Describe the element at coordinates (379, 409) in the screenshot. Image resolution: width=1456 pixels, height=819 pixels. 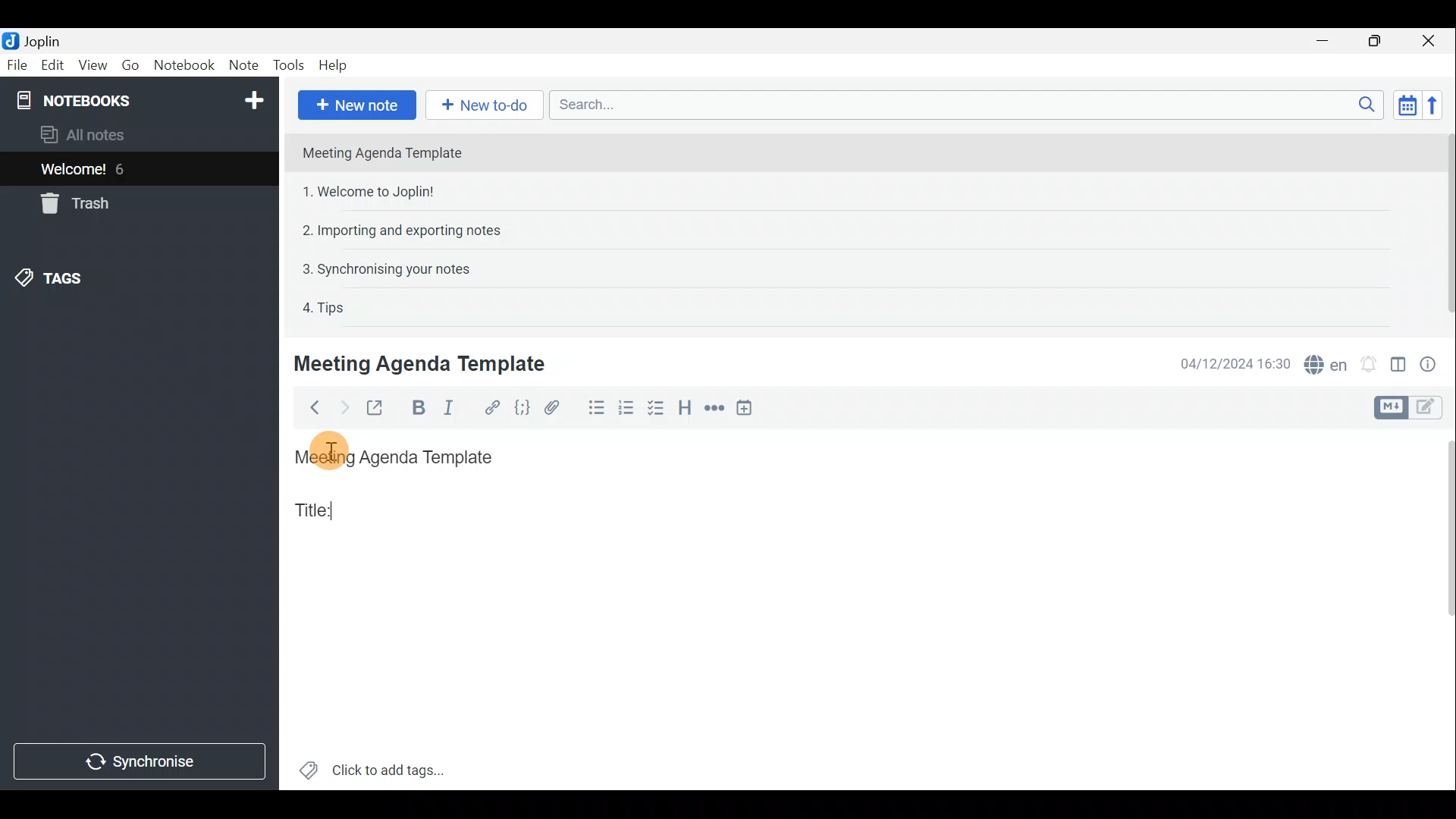
I see `Toggle external editing` at that location.